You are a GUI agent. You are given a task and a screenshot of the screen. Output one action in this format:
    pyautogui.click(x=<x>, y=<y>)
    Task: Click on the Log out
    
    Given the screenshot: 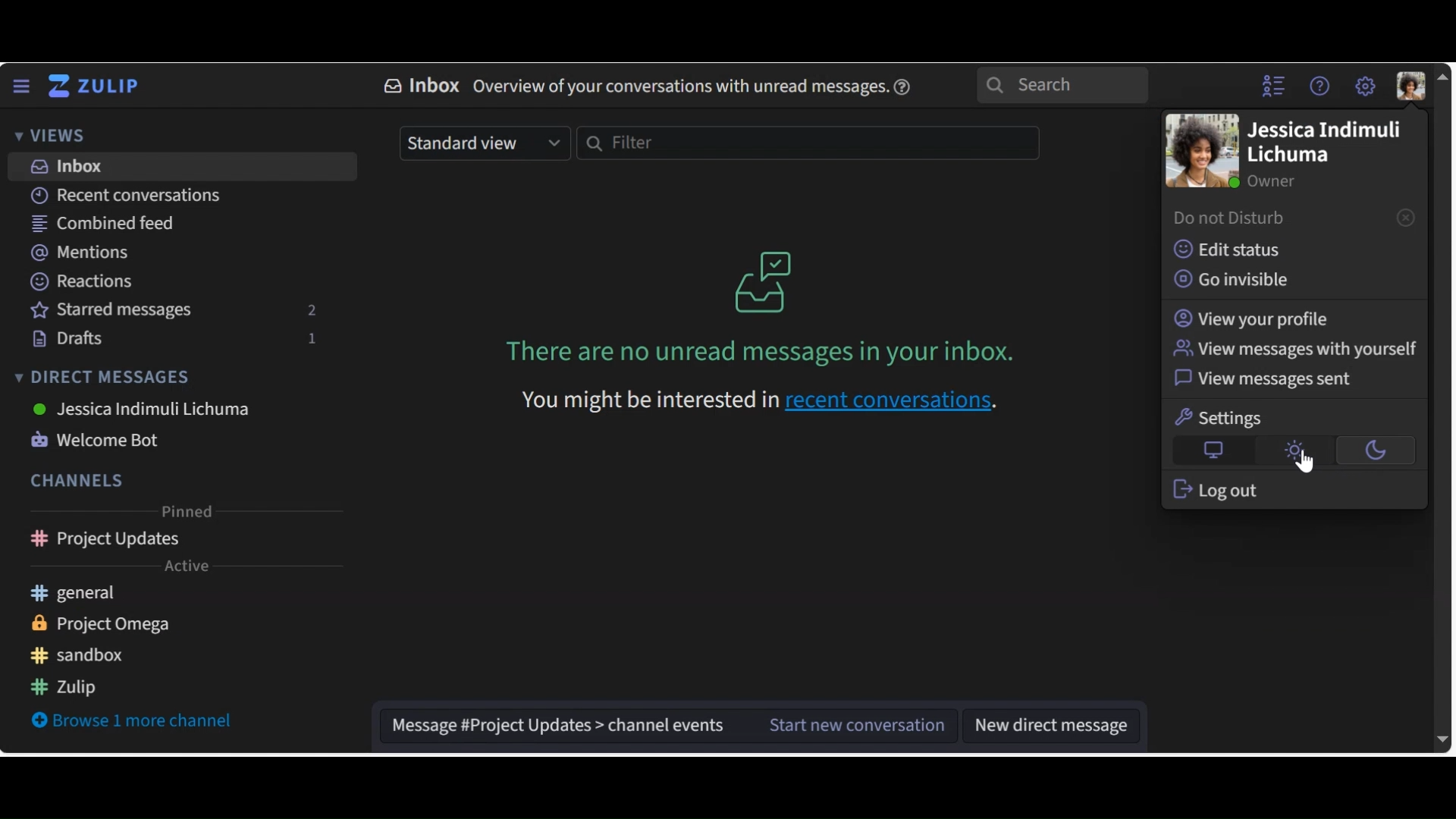 What is the action you would take?
    pyautogui.click(x=1216, y=489)
    